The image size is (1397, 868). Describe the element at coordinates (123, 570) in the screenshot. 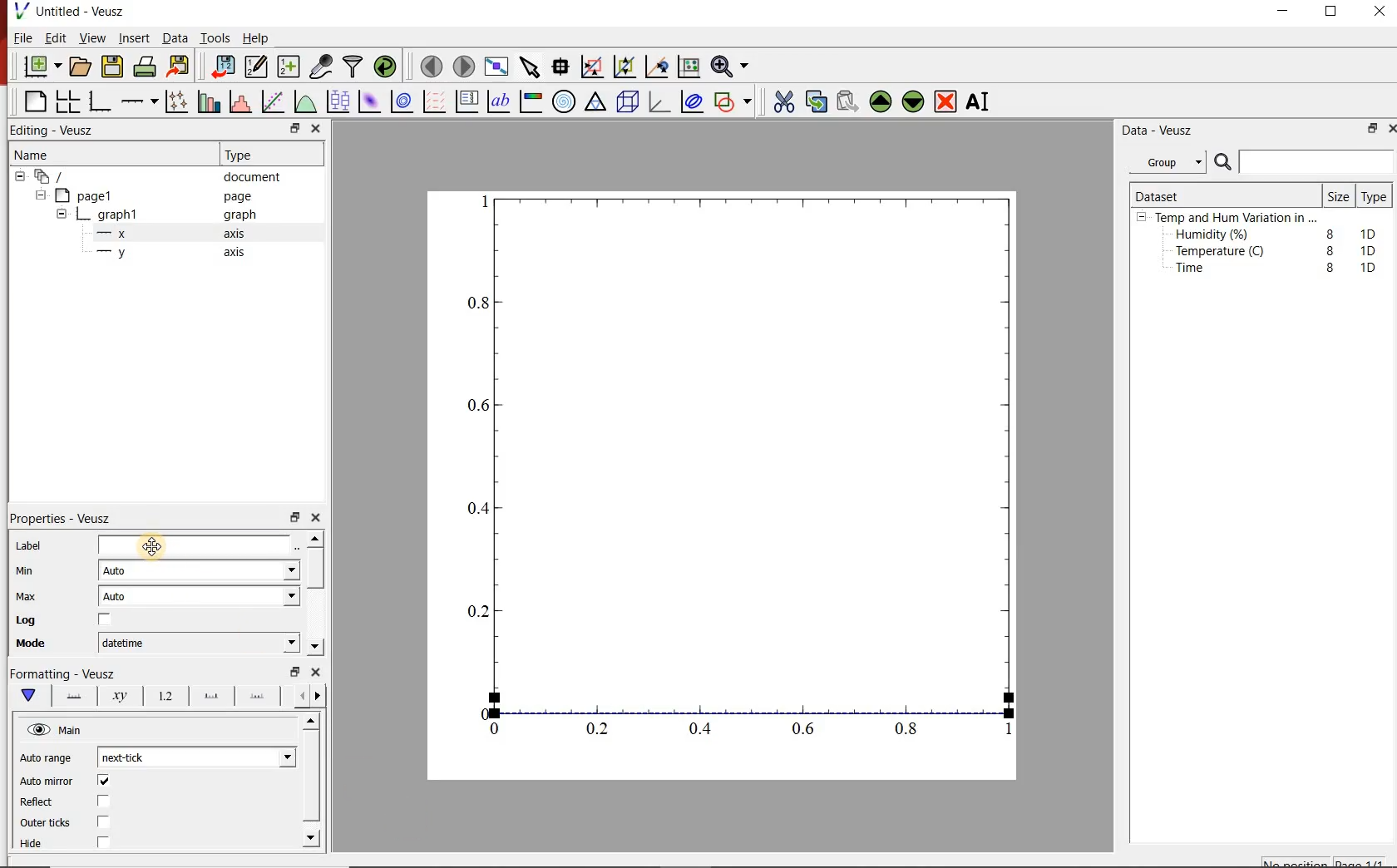

I see `Auto` at that location.